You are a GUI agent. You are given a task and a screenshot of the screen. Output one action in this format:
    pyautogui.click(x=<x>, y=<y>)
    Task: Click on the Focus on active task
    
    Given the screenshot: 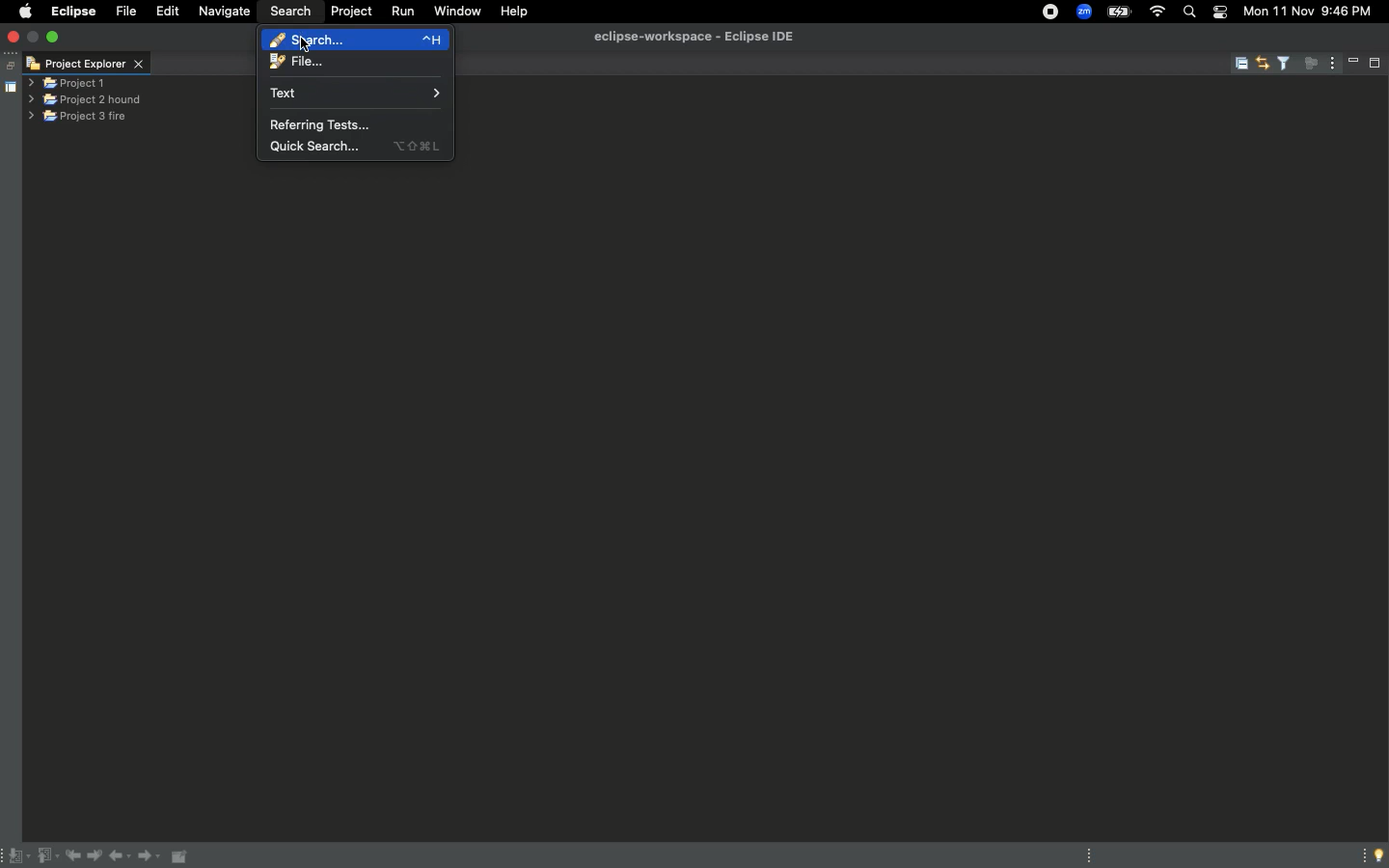 What is the action you would take?
    pyautogui.click(x=1309, y=65)
    